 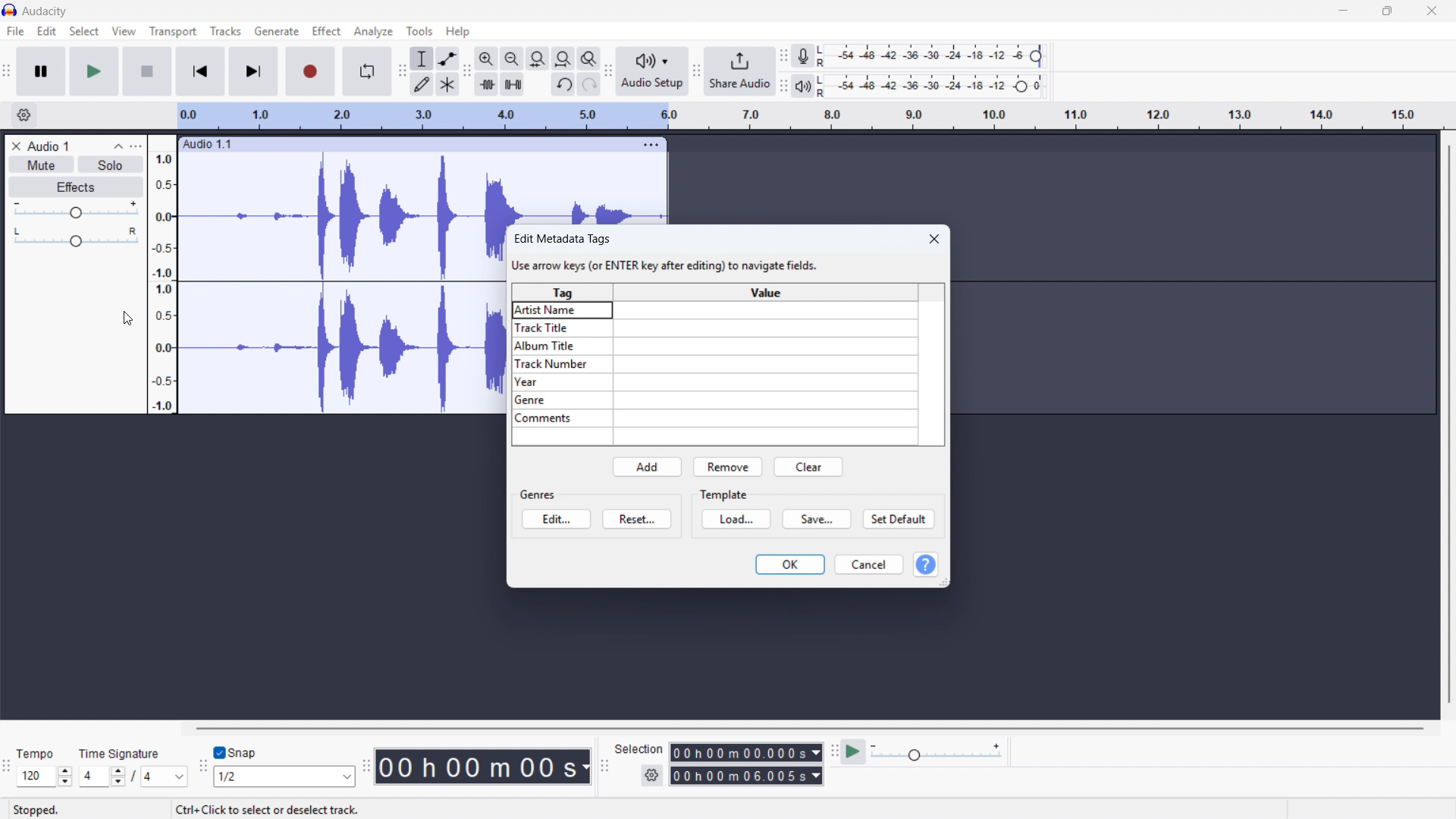 What do you see at coordinates (459, 30) in the screenshot?
I see `help` at bounding box center [459, 30].